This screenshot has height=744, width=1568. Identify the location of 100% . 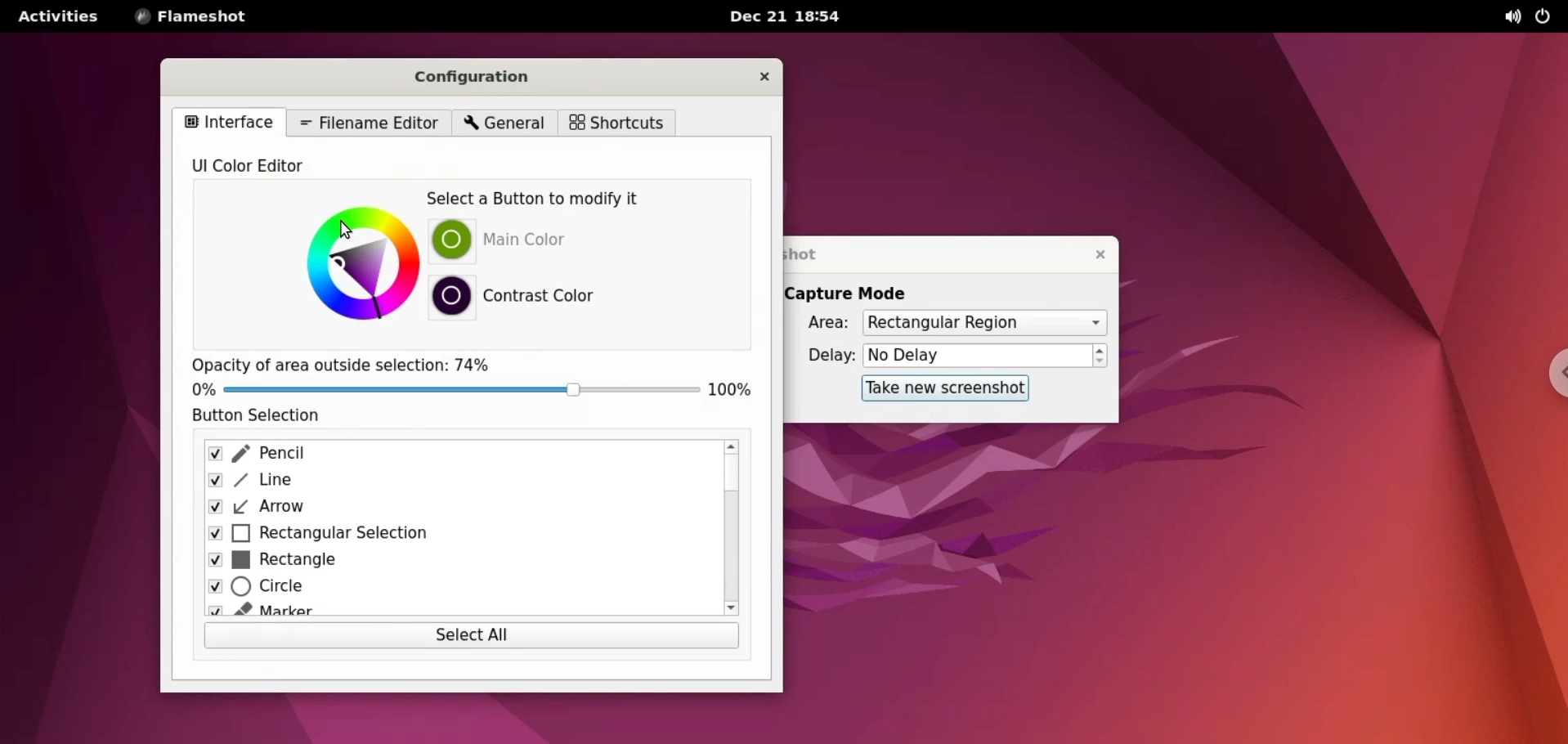
(733, 390).